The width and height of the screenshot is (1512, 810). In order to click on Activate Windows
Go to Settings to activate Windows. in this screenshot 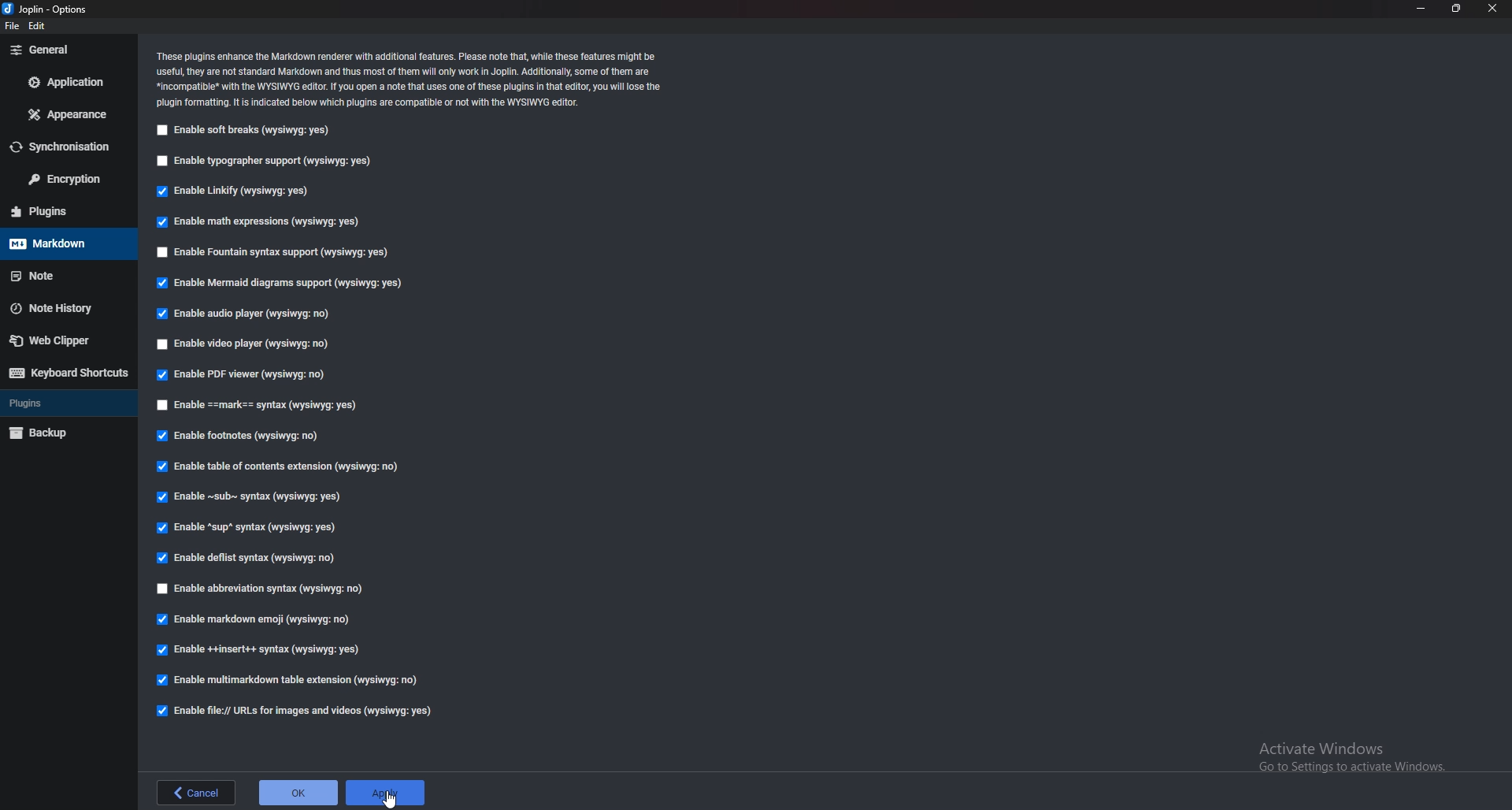, I will do `click(1343, 754)`.